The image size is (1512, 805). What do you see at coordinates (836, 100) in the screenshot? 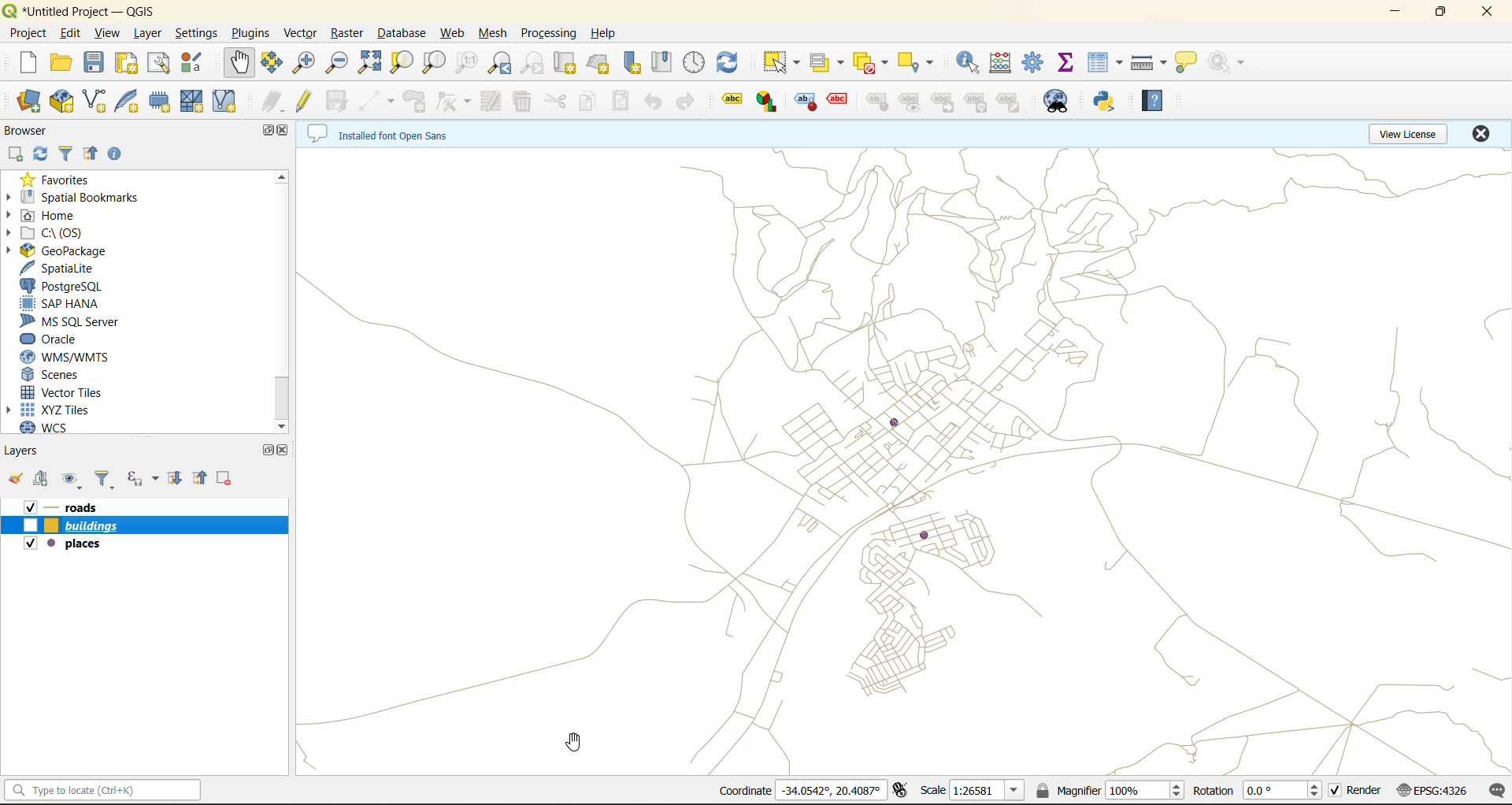
I see `Callout Annotation` at bounding box center [836, 100].